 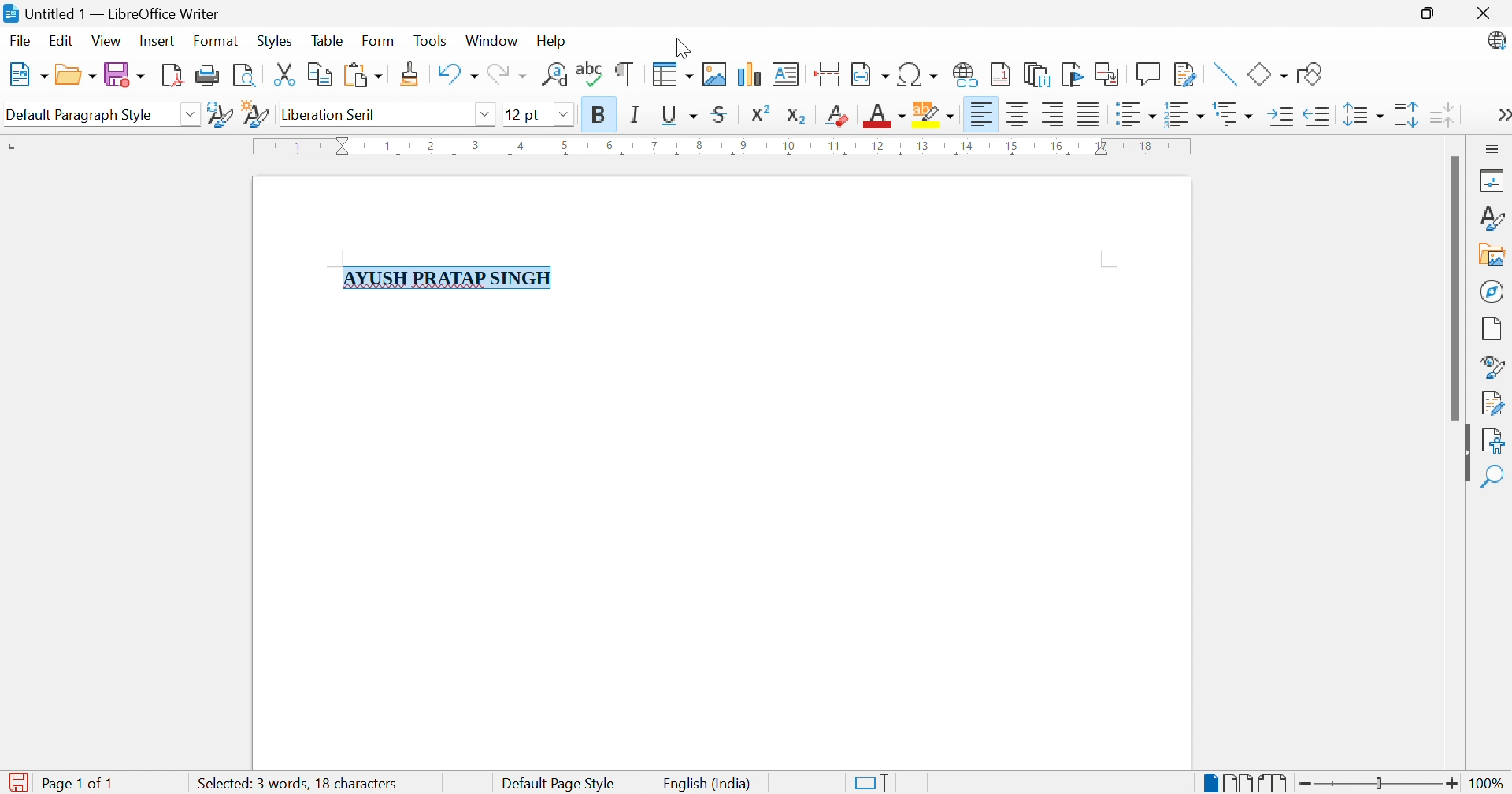 I want to click on Multiple-page View, so click(x=1240, y=781).